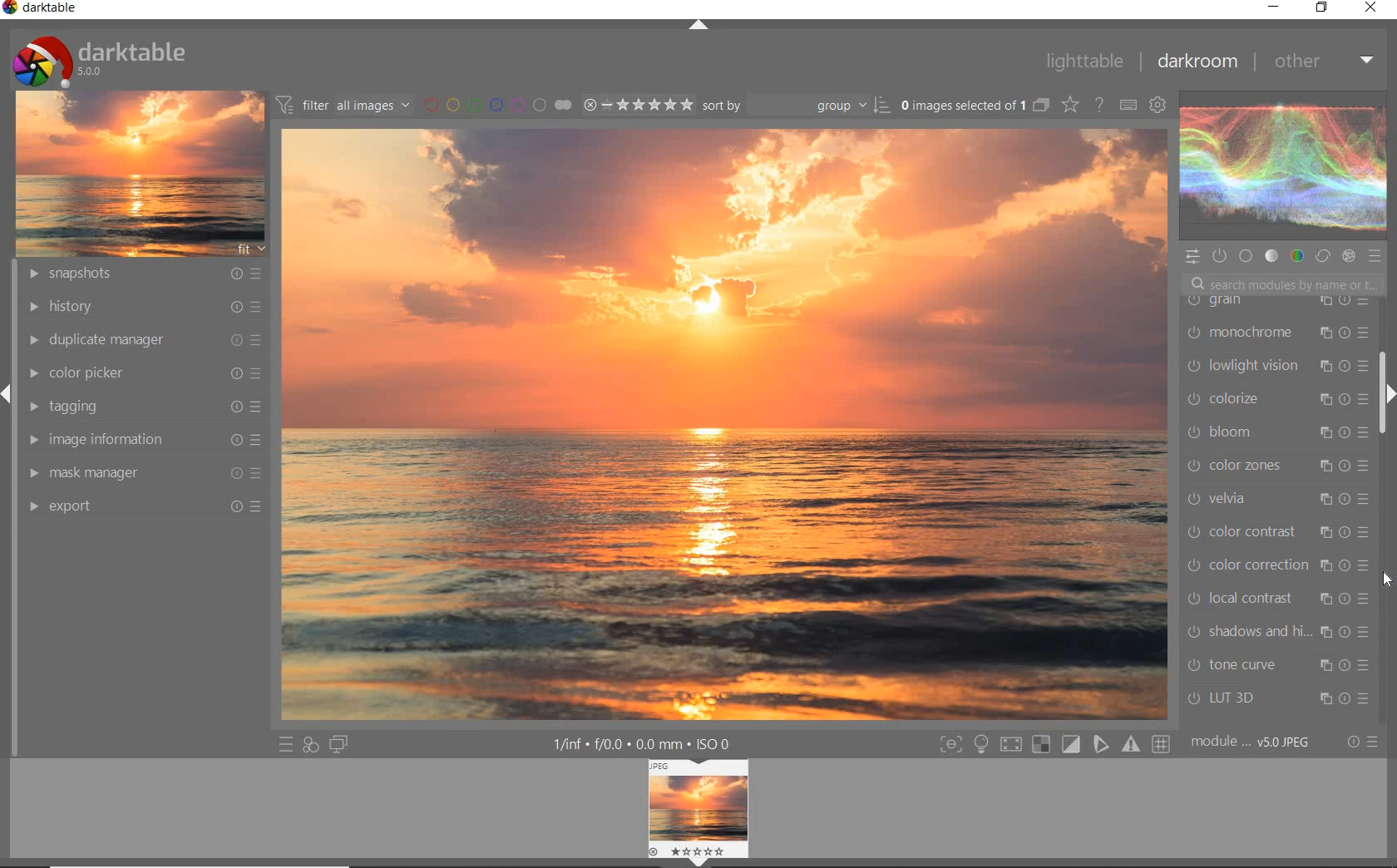  Describe the element at coordinates (1323, 257) in the screenshot. I see `CORRECT` at that location.